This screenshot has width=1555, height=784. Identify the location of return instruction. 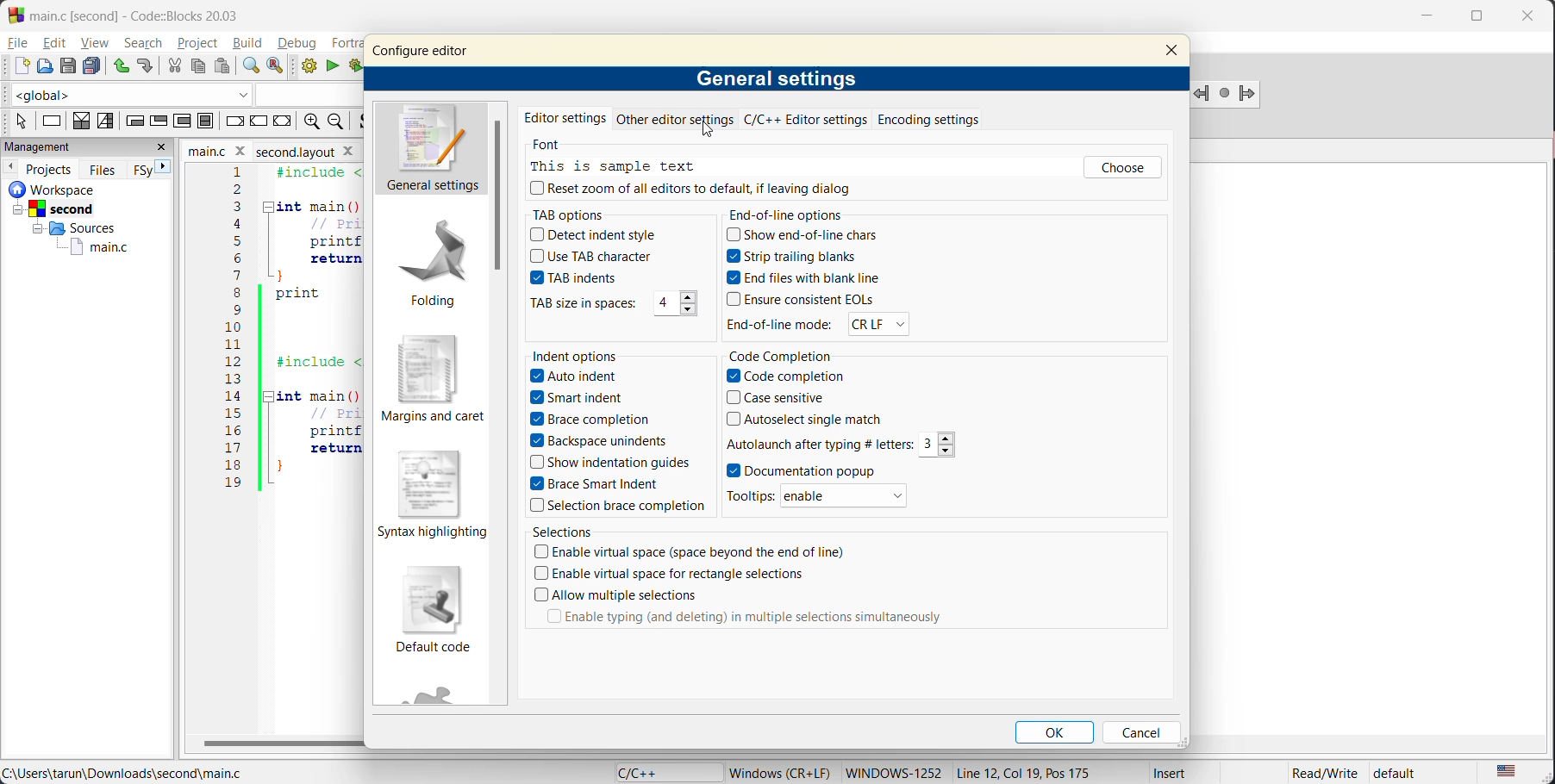
(283, 121).